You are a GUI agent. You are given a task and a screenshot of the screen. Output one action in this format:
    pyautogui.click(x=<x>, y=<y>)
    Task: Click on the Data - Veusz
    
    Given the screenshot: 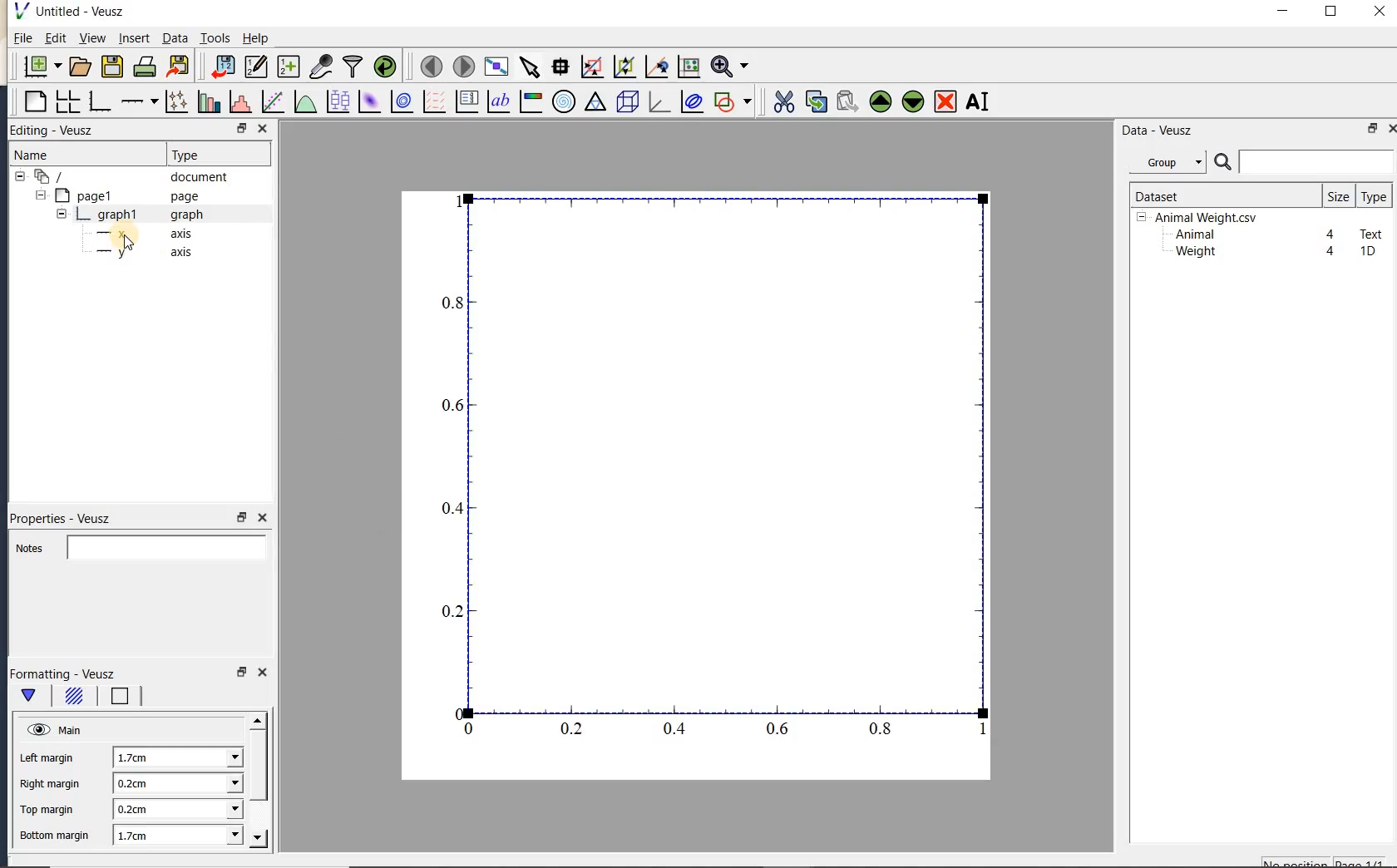 What is the action you would take?
    pyautogui.click(x=1172, y=163)
    